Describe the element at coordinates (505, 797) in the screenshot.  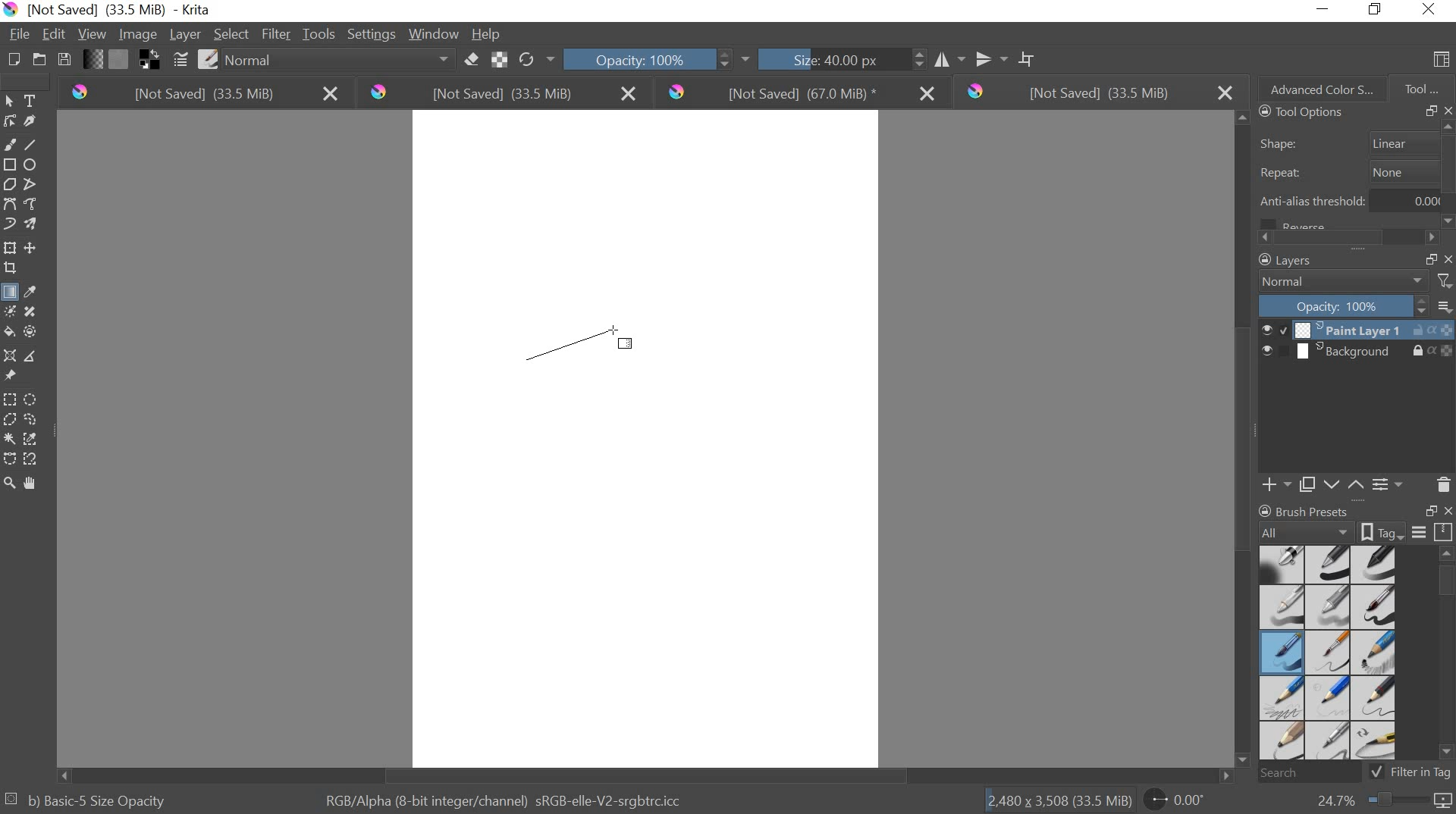
I see `RGB/alpha (8 bit integer/channel) srgb elle v2 srgbttrc.icc` at that location.